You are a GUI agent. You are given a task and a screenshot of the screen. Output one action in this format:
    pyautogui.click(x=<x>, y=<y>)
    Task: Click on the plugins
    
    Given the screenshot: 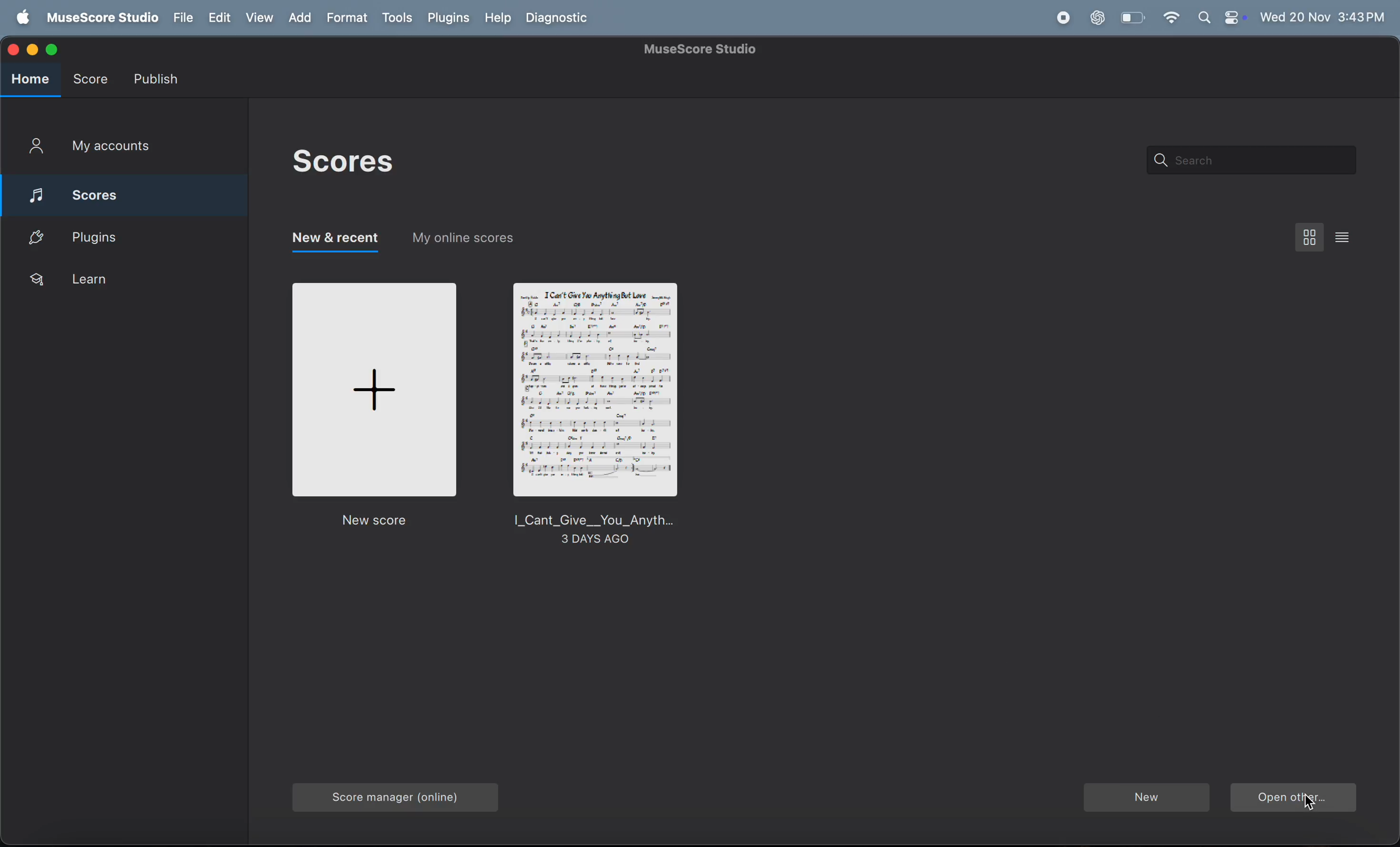 What is the action you would take?
    pyautogui.click(x=450, y=19)
    